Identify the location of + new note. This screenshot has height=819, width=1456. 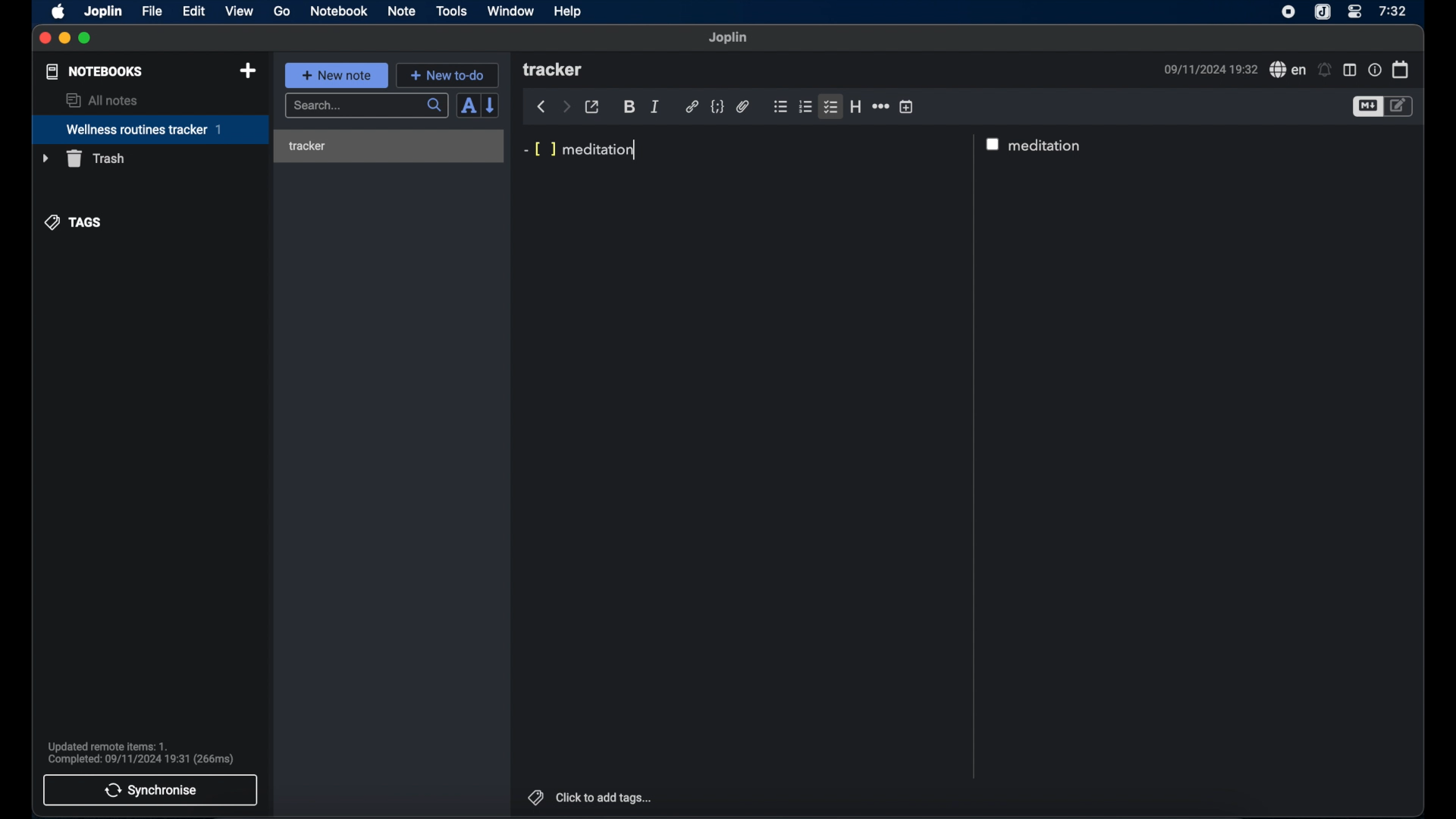
(337, 75).